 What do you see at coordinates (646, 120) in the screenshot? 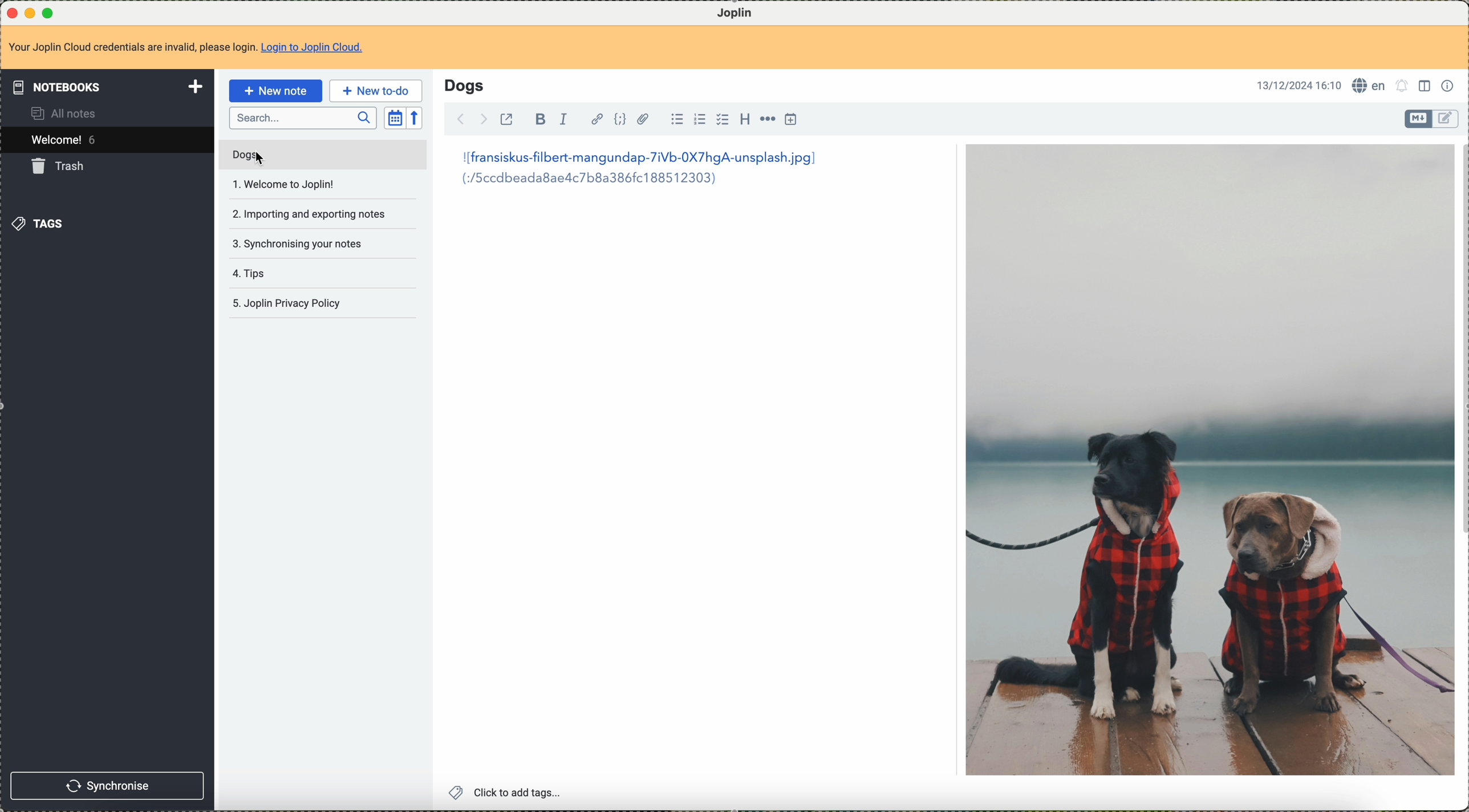
I see `attach file` at bounding box center [646, 120].